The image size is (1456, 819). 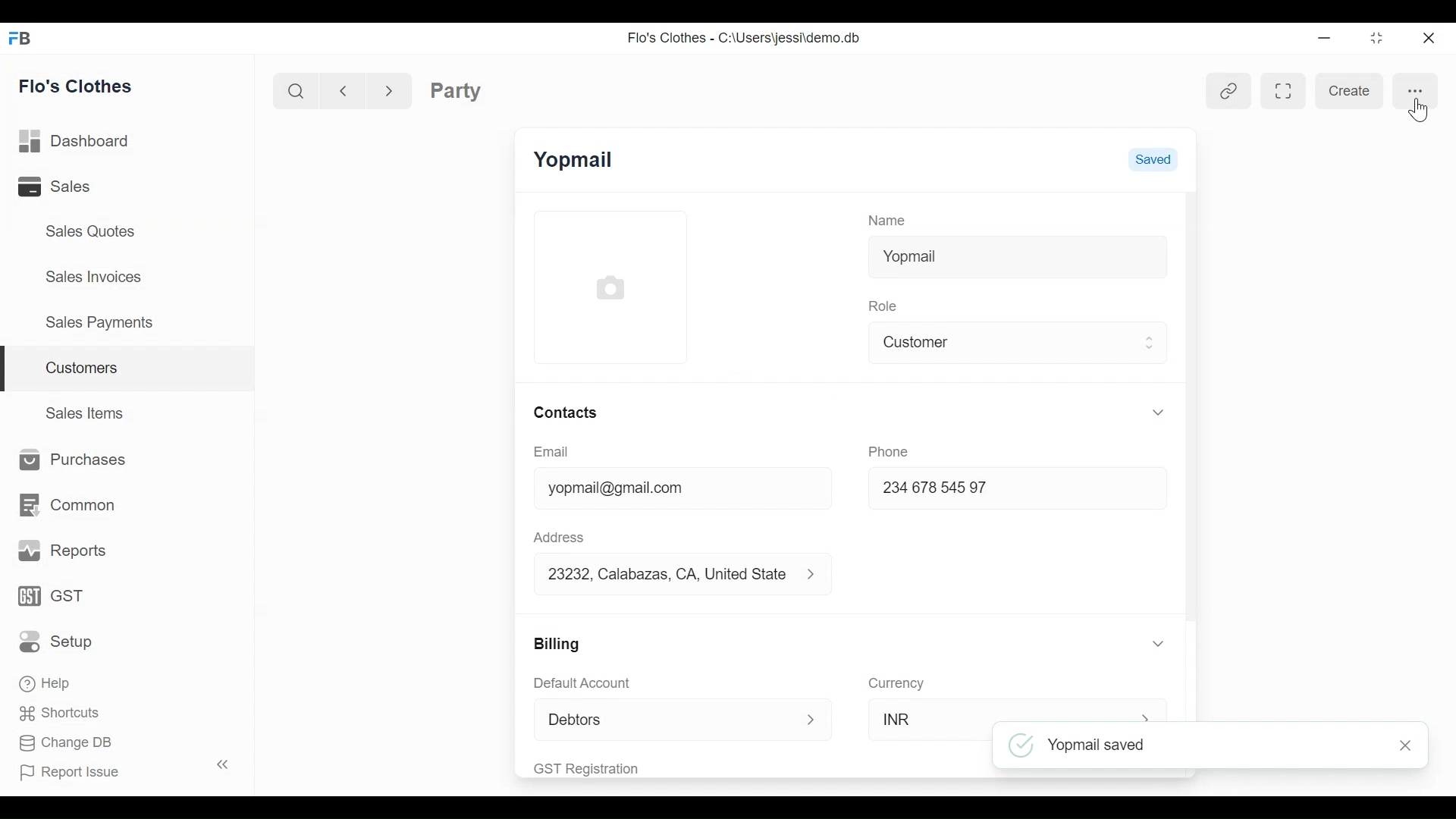 I want to click on Expand, so click(x=812, y=718).